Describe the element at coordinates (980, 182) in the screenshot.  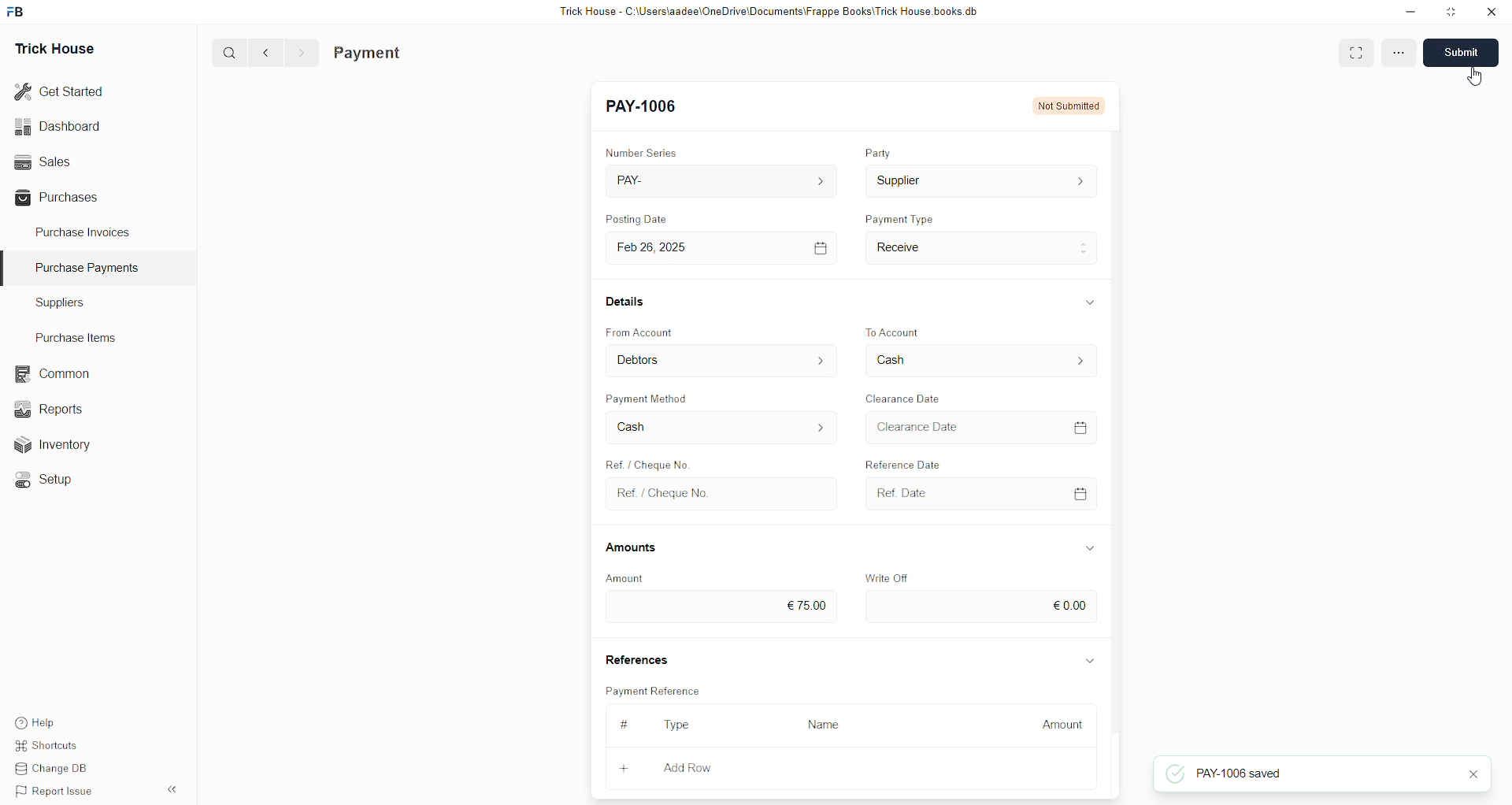
I see `Supplier` at that location.